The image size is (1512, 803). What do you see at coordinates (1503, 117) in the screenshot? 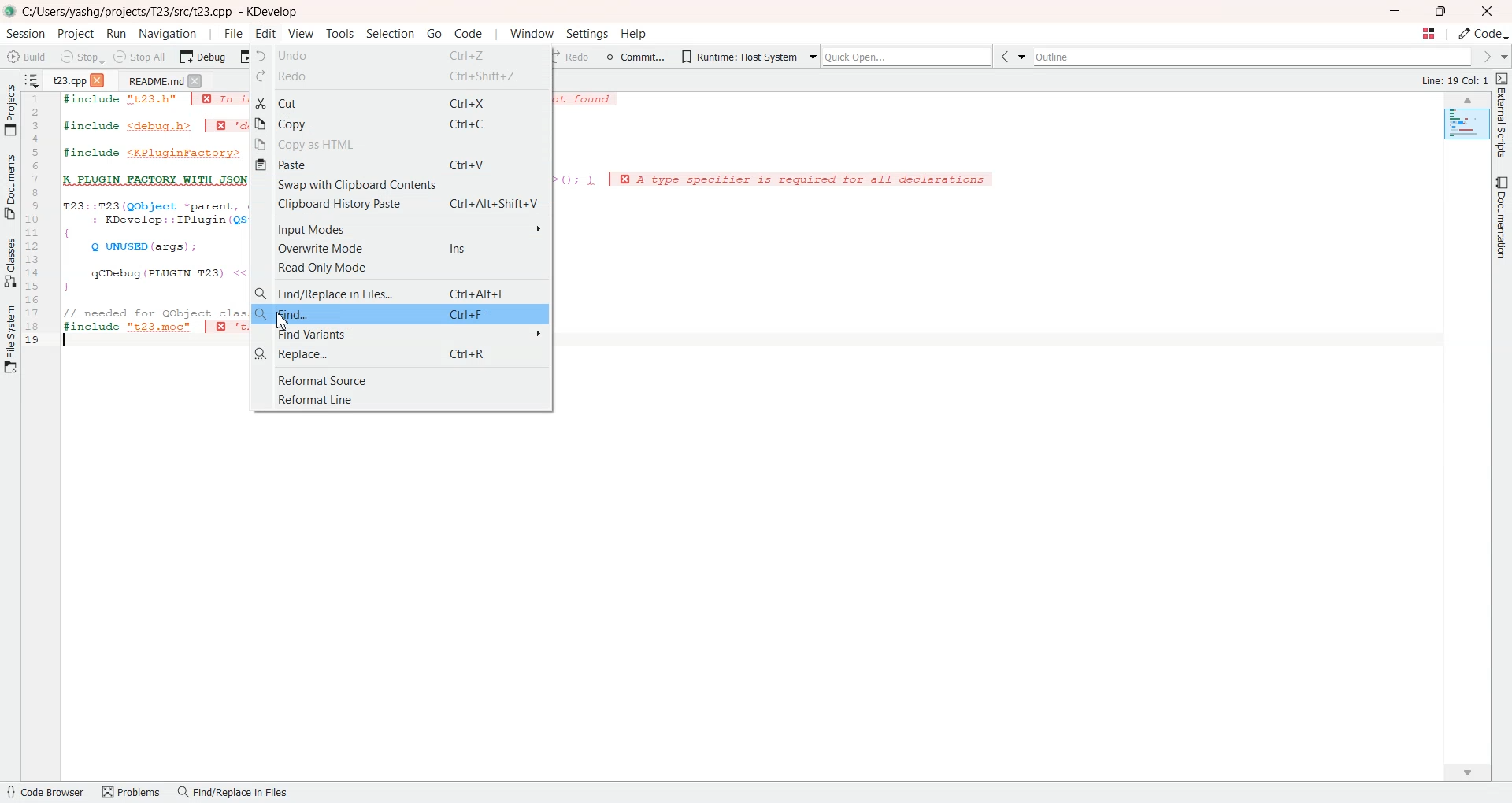
I see `External Script` at bounding box center [1503, 117].